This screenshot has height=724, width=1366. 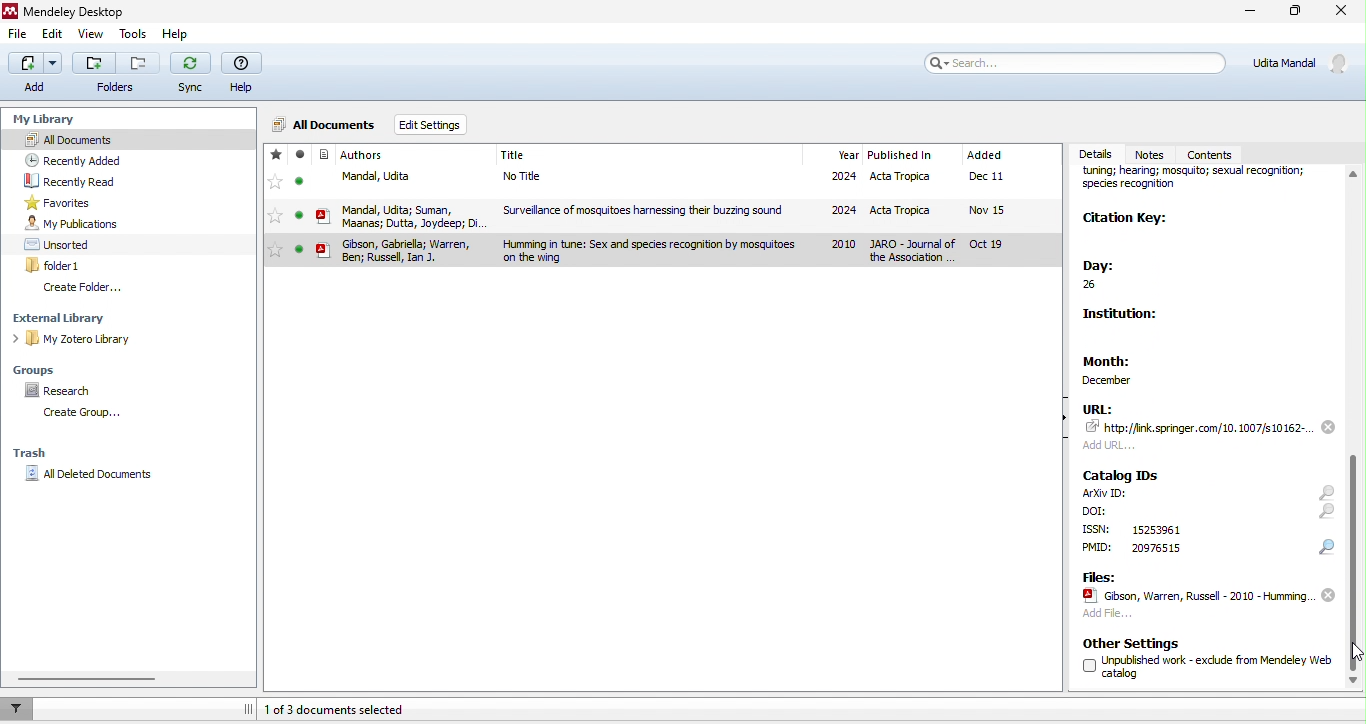 What do you see at coordinates (1355, 428) in the screenshot?
I see `scroll down` at bounding box center [1355, 428].